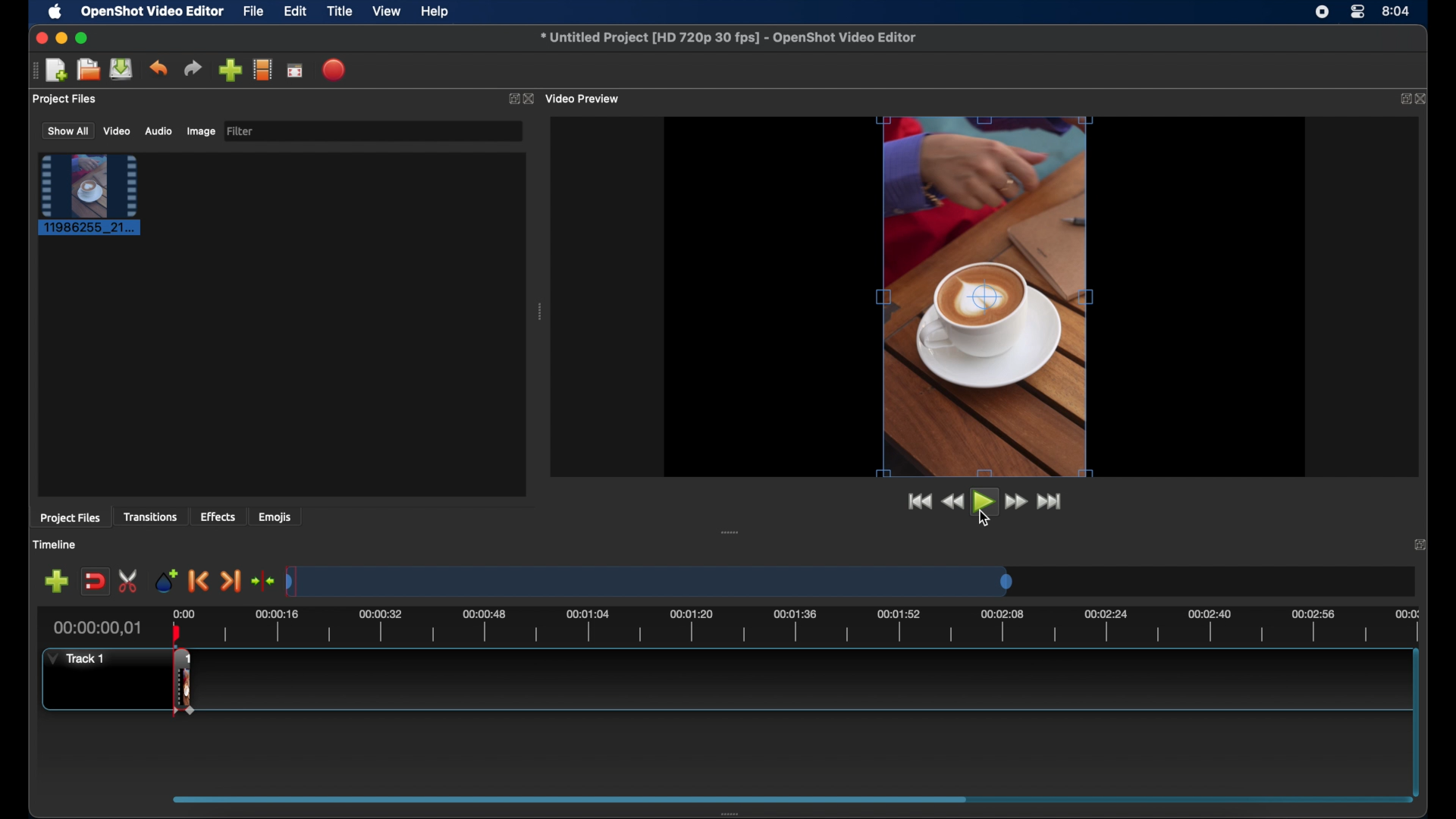 The image size is (1456, 819). Describe the element at coordinates (184, 612) in the screenshot. I see `0.00` at that location.